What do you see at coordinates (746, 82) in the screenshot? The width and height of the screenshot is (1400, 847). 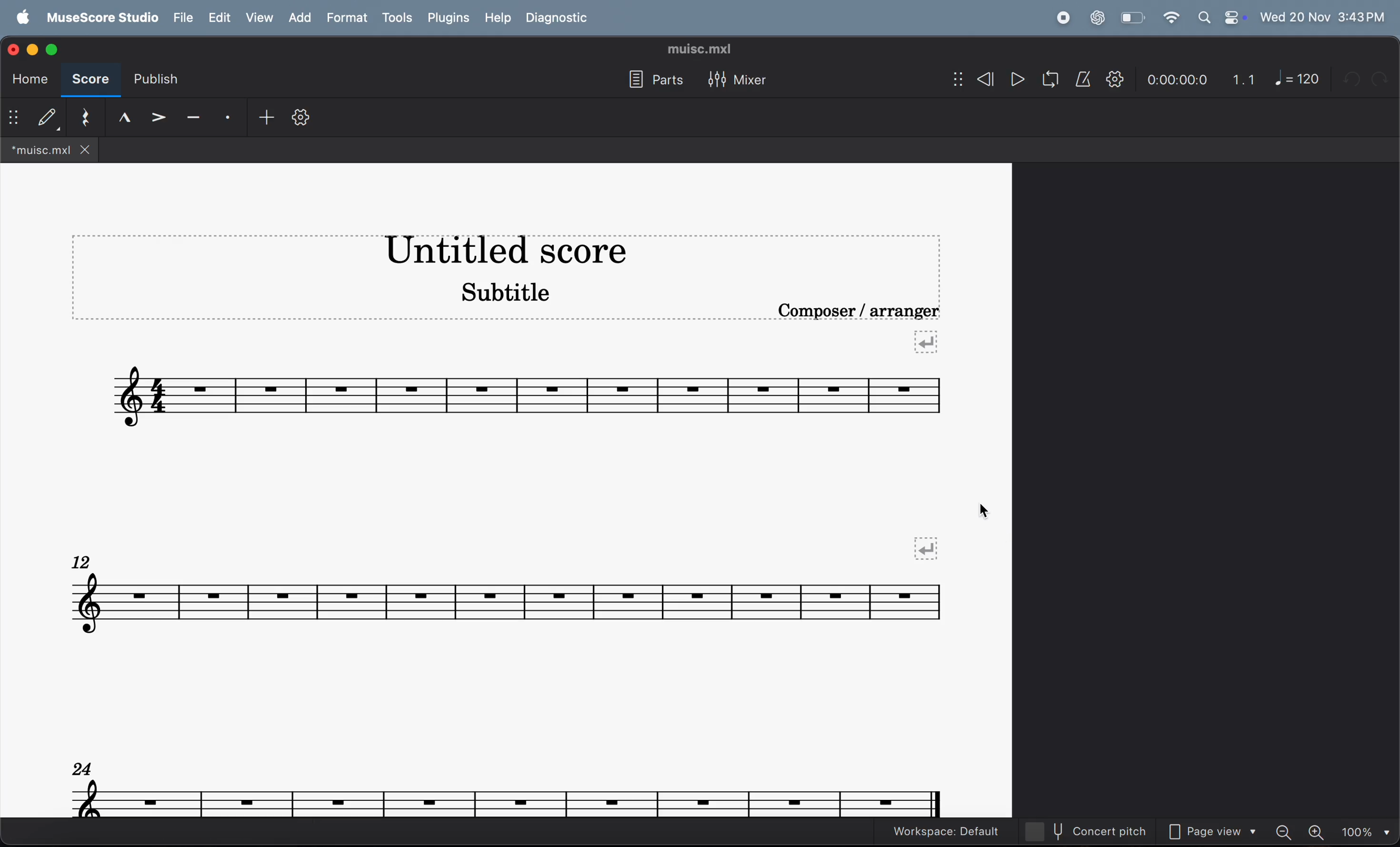 I see `mixer` at bounding box center [746, 82].